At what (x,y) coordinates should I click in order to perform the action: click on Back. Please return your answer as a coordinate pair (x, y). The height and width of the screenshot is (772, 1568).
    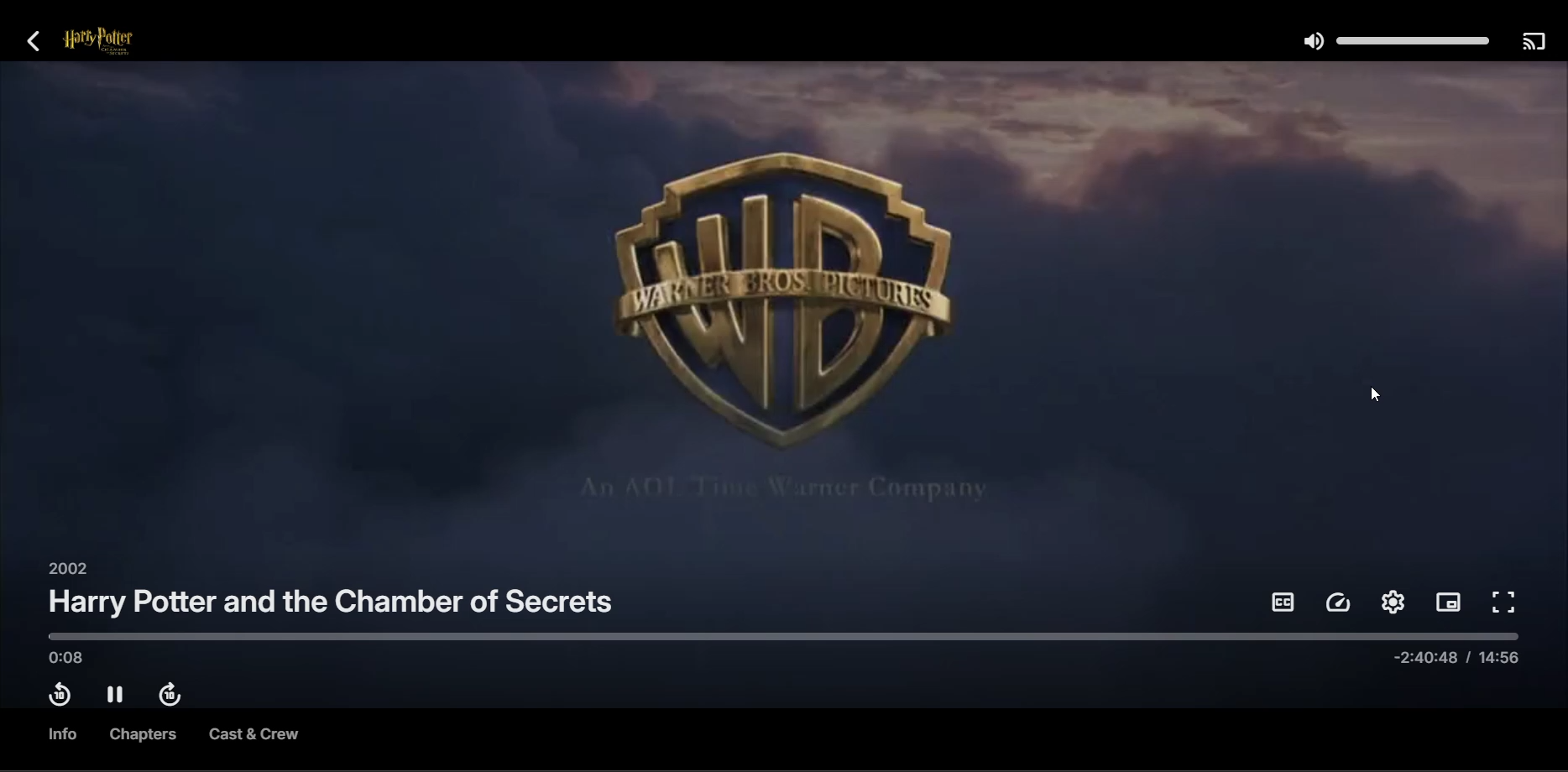
    Looking at the image, I should click on (42, 43).